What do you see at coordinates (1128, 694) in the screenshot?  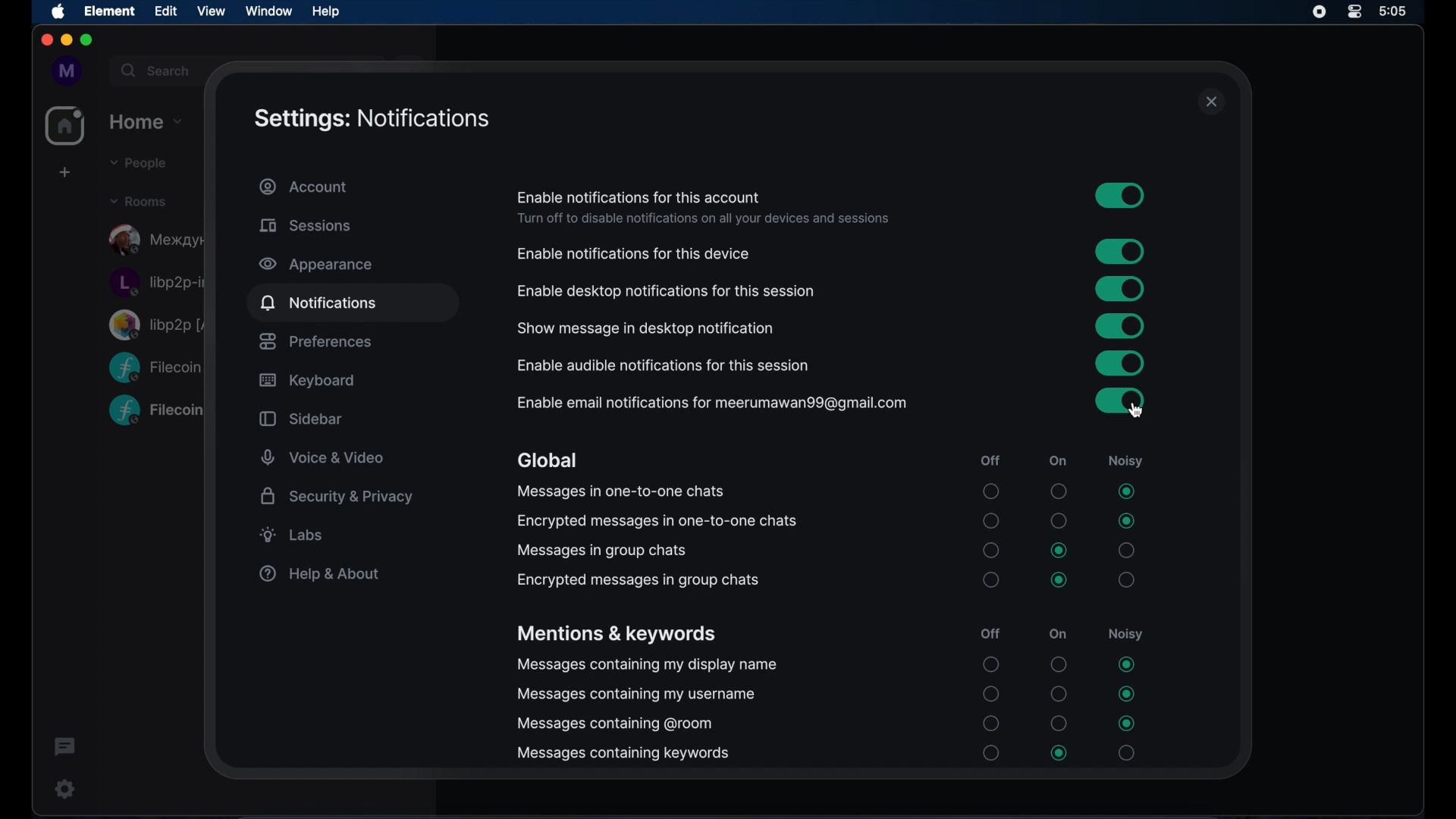 I see `radio button` at bounding box center [1128, 694].